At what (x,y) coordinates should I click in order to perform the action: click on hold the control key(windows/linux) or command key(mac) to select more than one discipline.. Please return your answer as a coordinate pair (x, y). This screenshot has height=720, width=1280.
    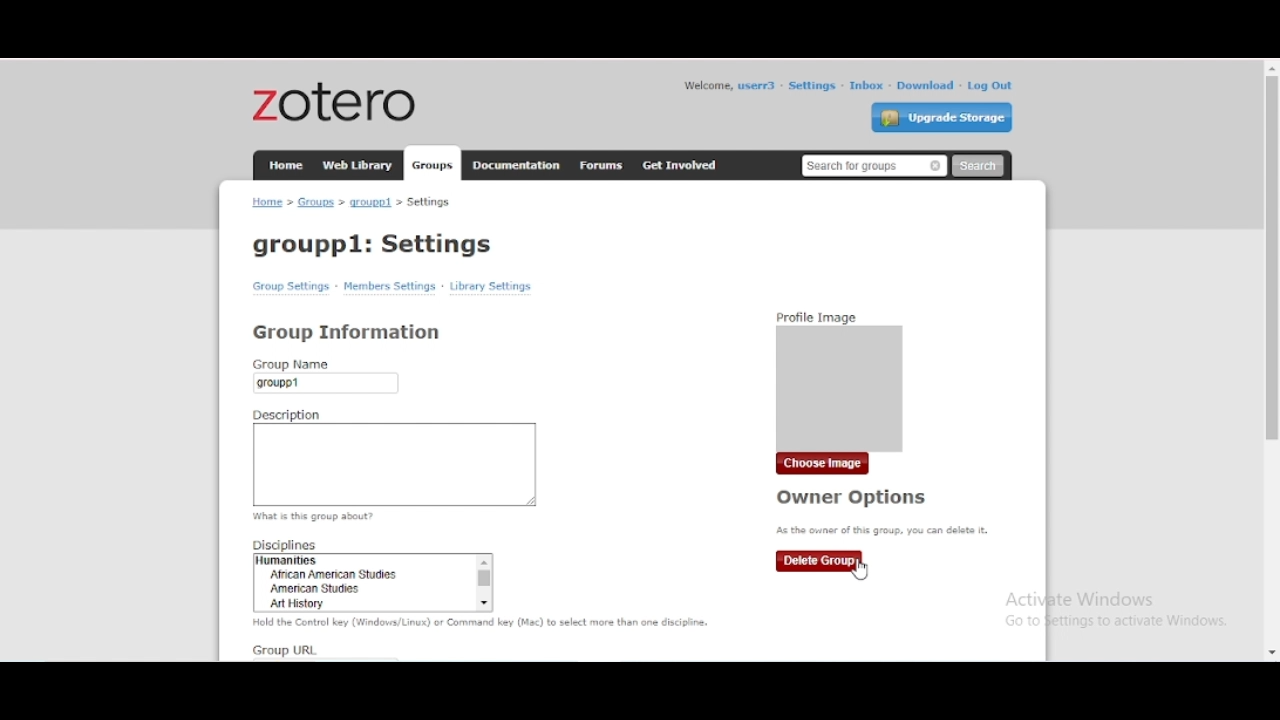
    Looking at the image, I should click on (483, 623).